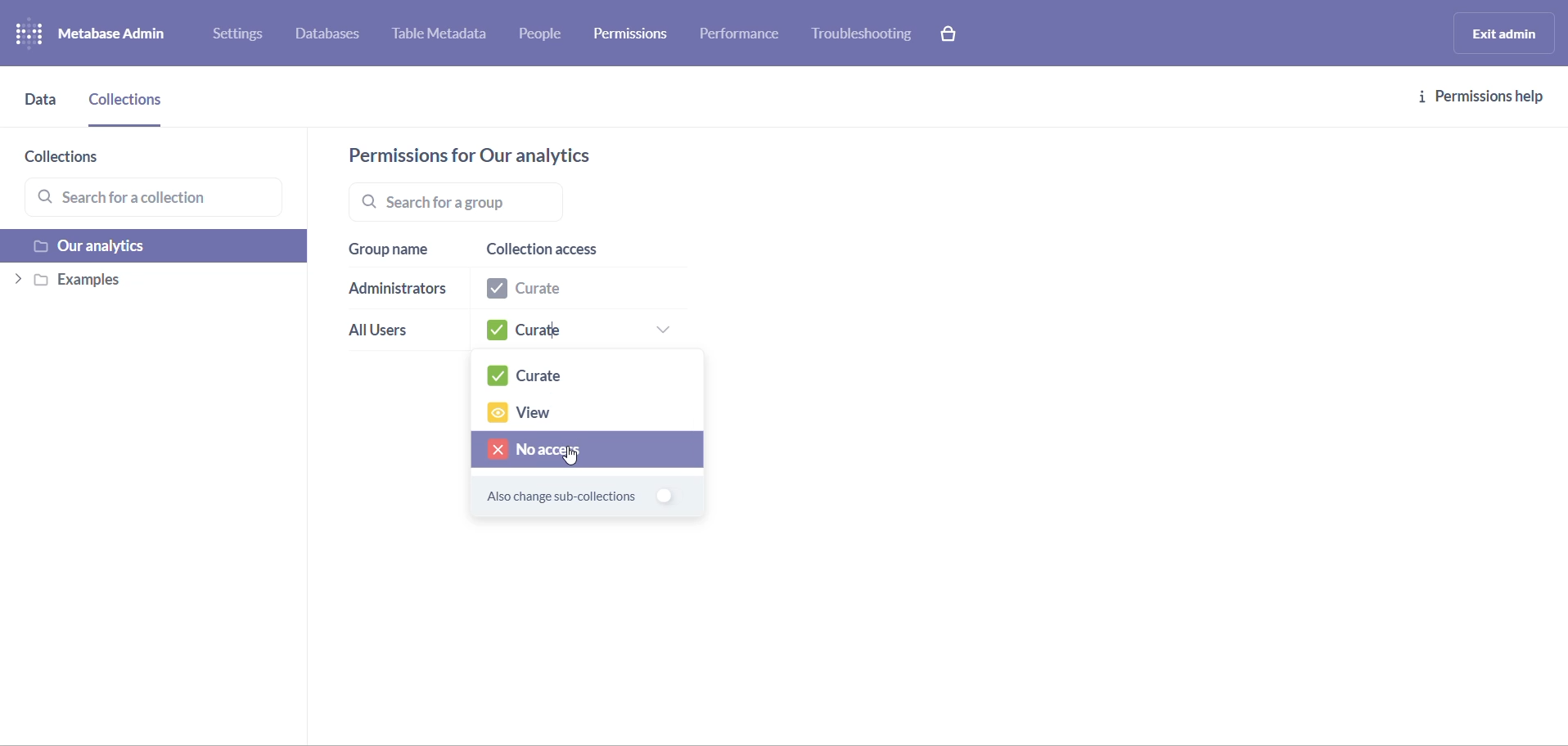 The width and height of the screenshot is (1568, 746). What do you see at coordinates (336, 36) in the screenshot?
I see `databases` at bounding box center [336, 36].